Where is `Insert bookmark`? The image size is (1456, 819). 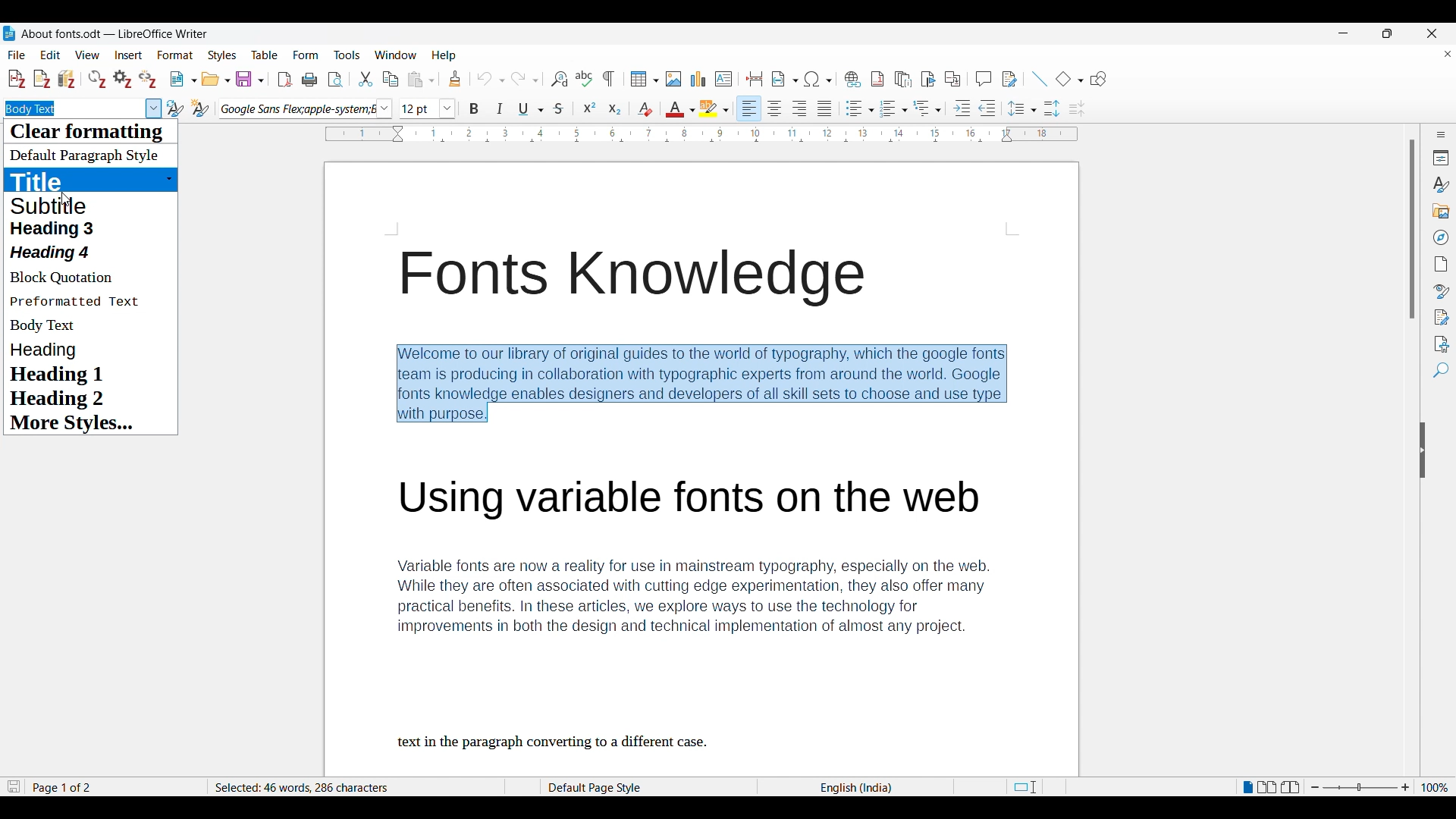
Insert bookmark is located at coordinates (929, 80).